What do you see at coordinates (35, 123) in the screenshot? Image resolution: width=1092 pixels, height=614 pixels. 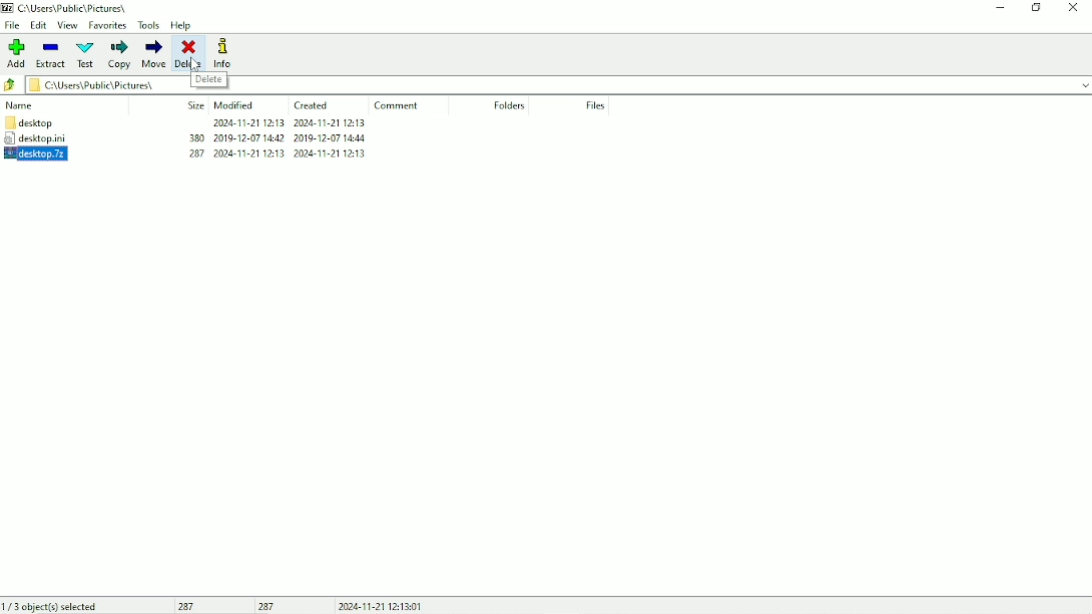 I see `desktop` at bounding box center [35, 123].